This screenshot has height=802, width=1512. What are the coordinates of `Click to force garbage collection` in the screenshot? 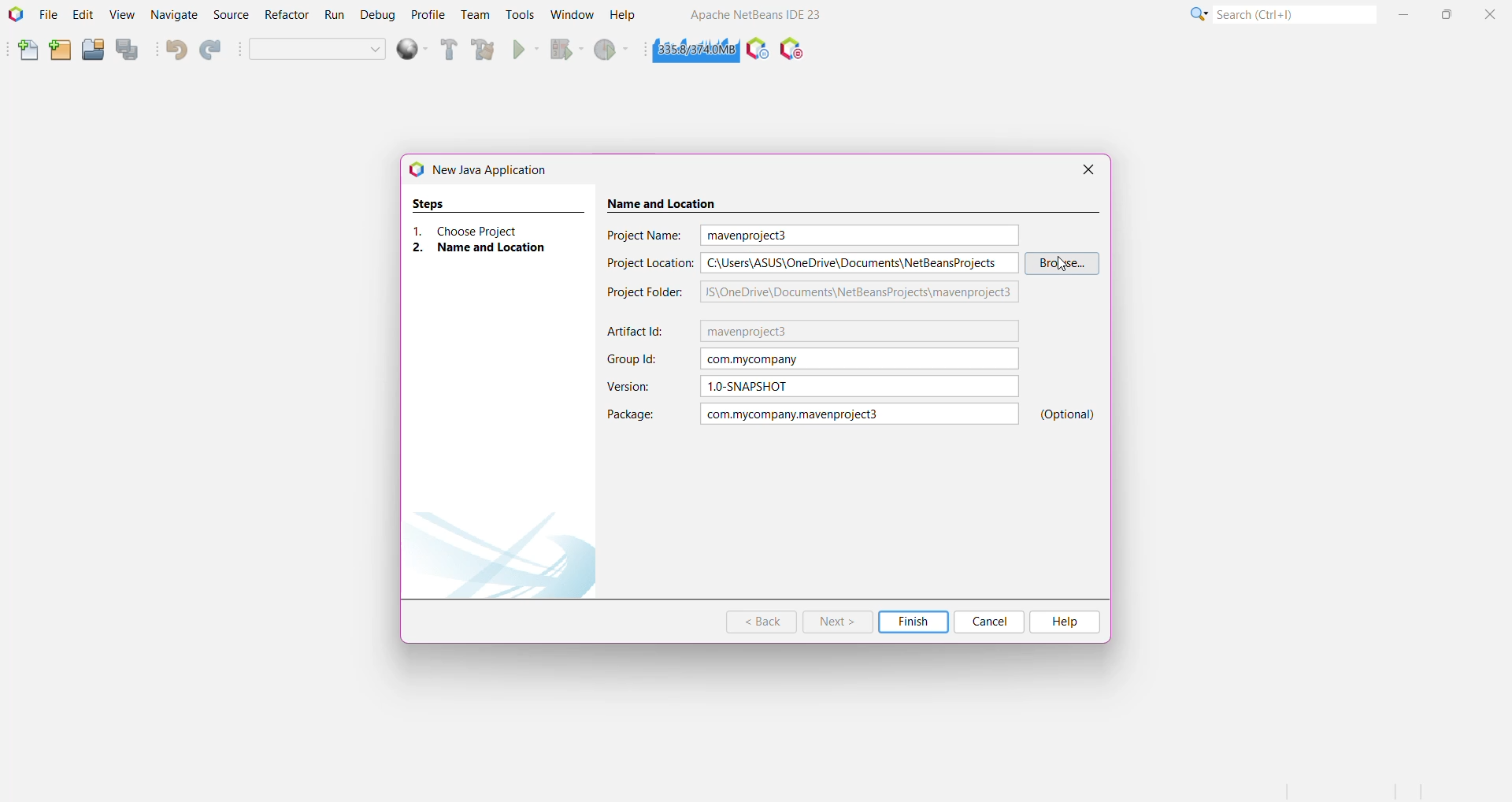 It's located at (691, 50).